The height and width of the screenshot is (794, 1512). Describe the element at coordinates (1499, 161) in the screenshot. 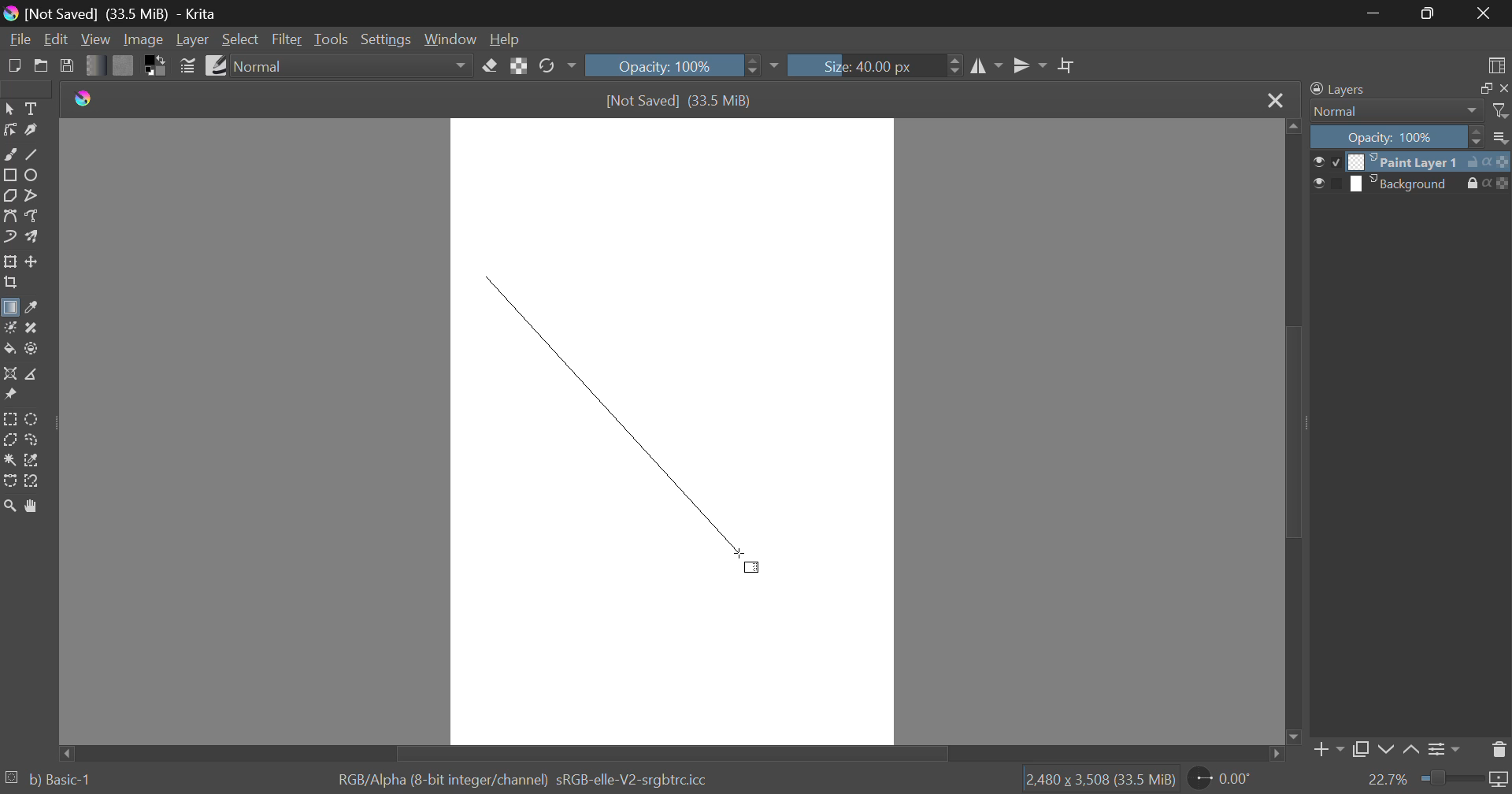

I see `icon` at that location.